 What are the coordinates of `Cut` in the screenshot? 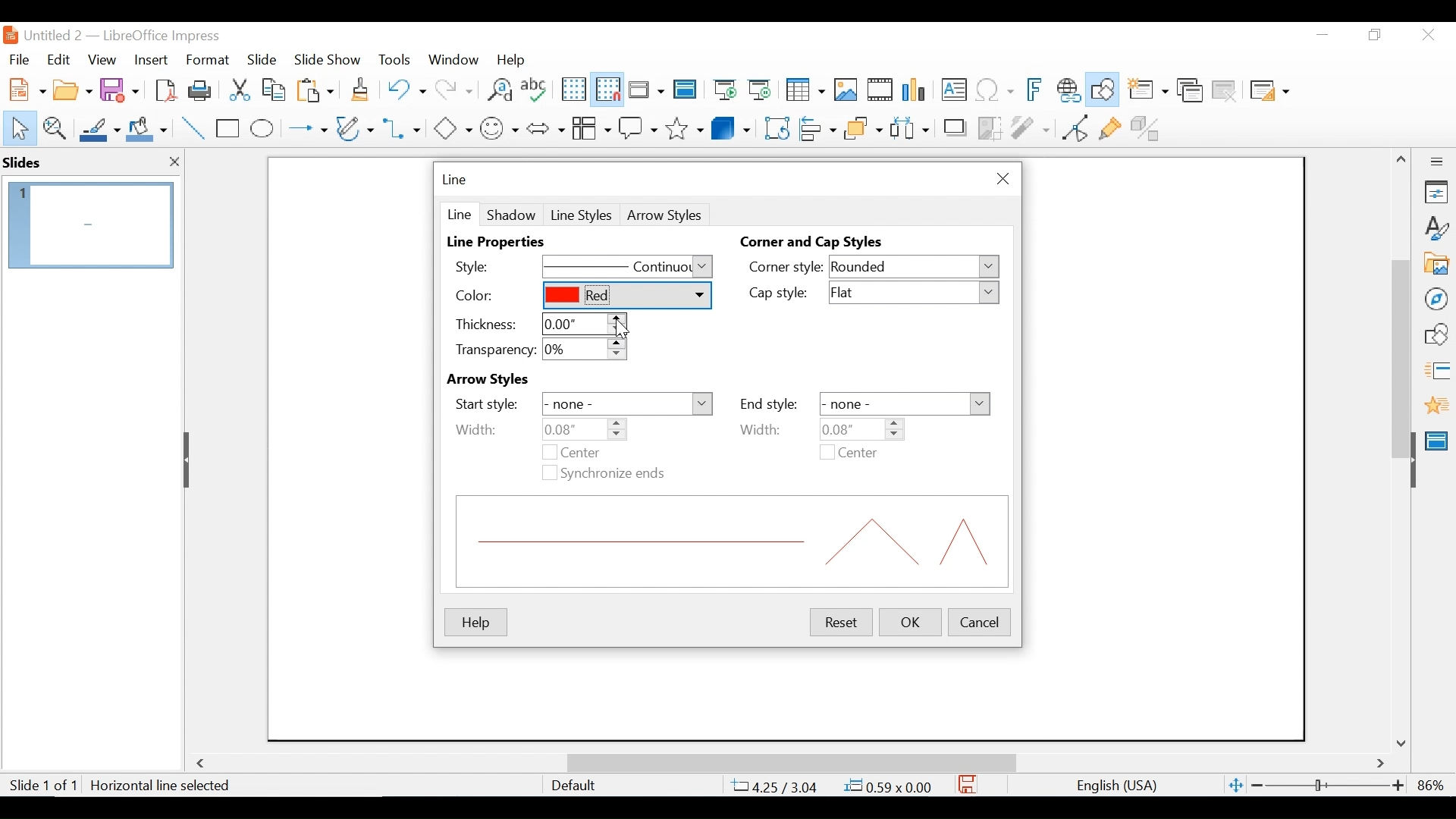 It's located at (238, 89).